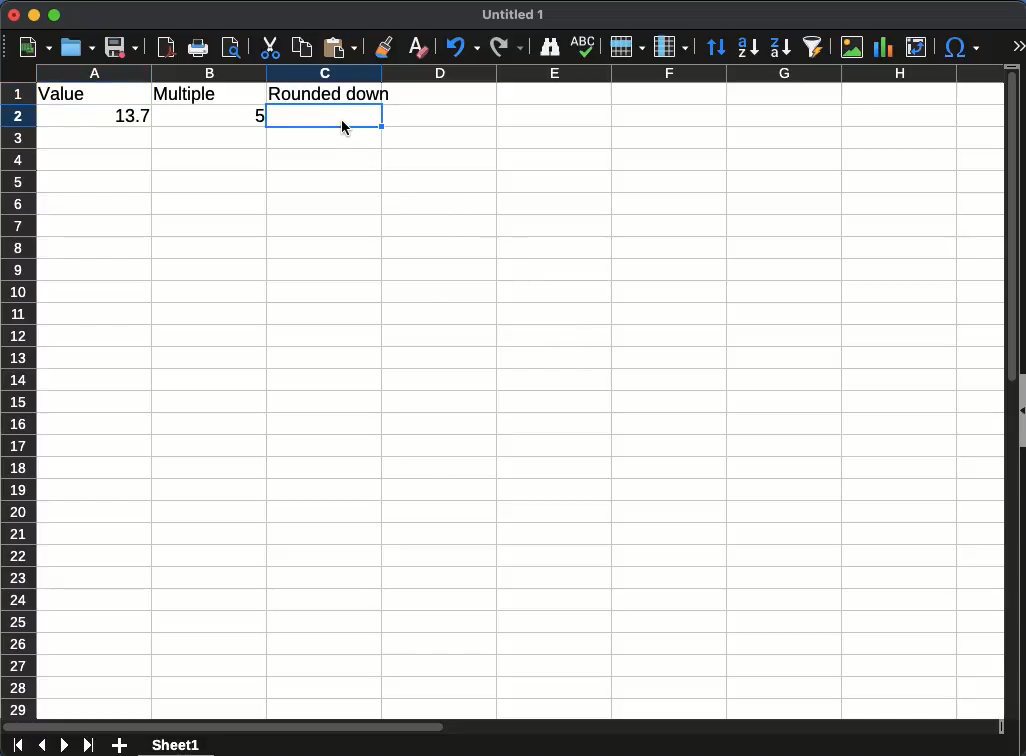 The height and width of the screenshot is (756, 1026). I want to click on previous sheet, so click(41, 746).